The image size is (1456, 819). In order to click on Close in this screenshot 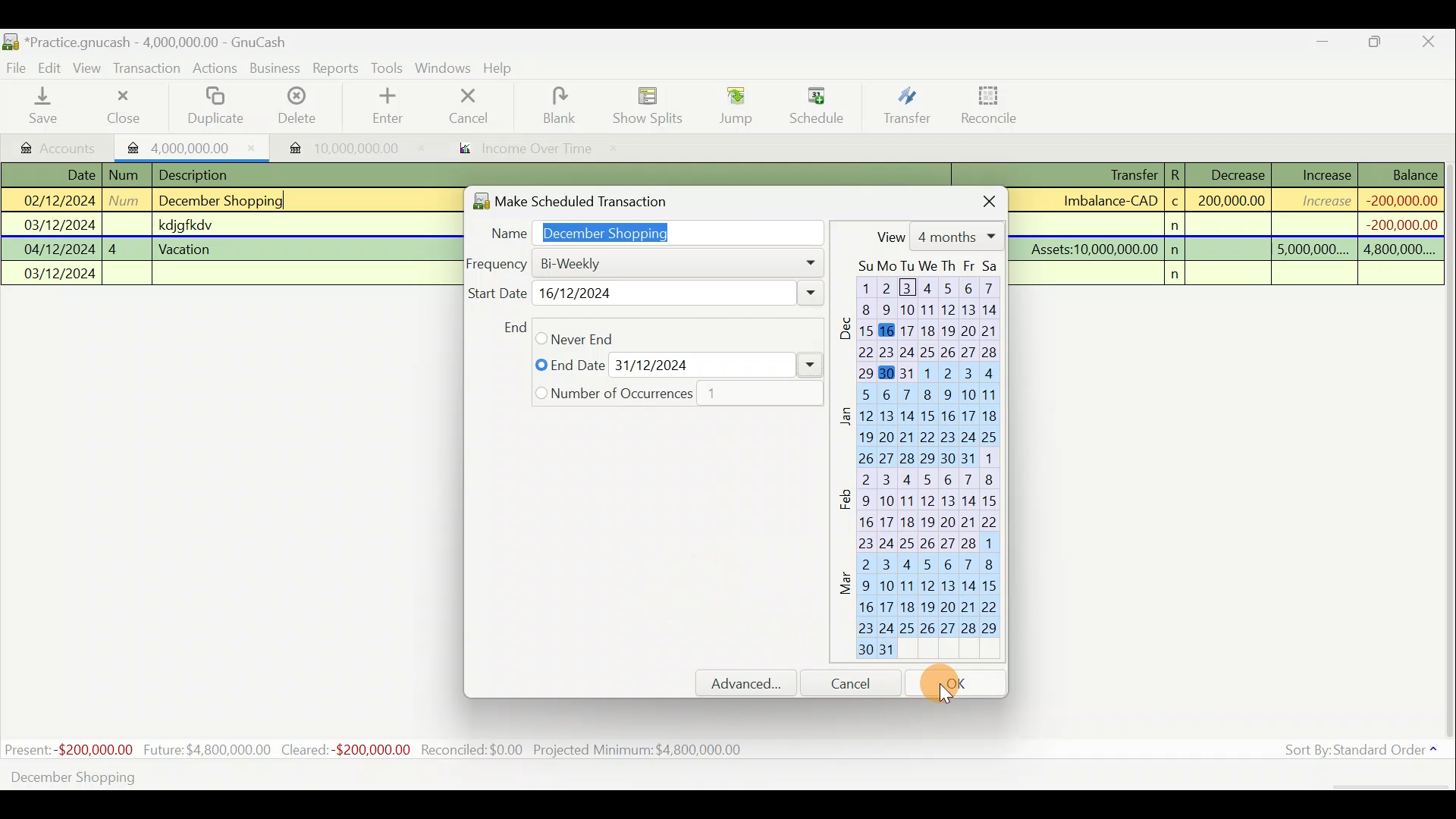, I will do `click(1429, 44)`.